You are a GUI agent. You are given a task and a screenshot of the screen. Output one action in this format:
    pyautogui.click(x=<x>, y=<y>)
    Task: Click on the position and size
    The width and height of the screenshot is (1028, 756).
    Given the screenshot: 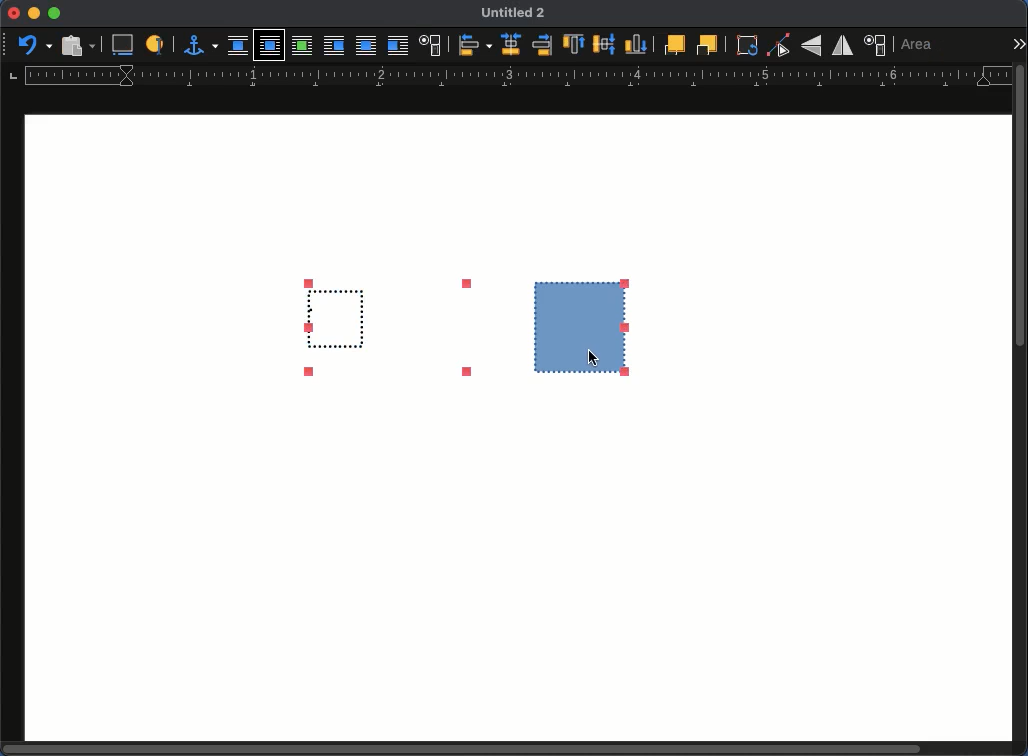 What is the action you would take?
    pyautogui.click(x=877, y=44)
    